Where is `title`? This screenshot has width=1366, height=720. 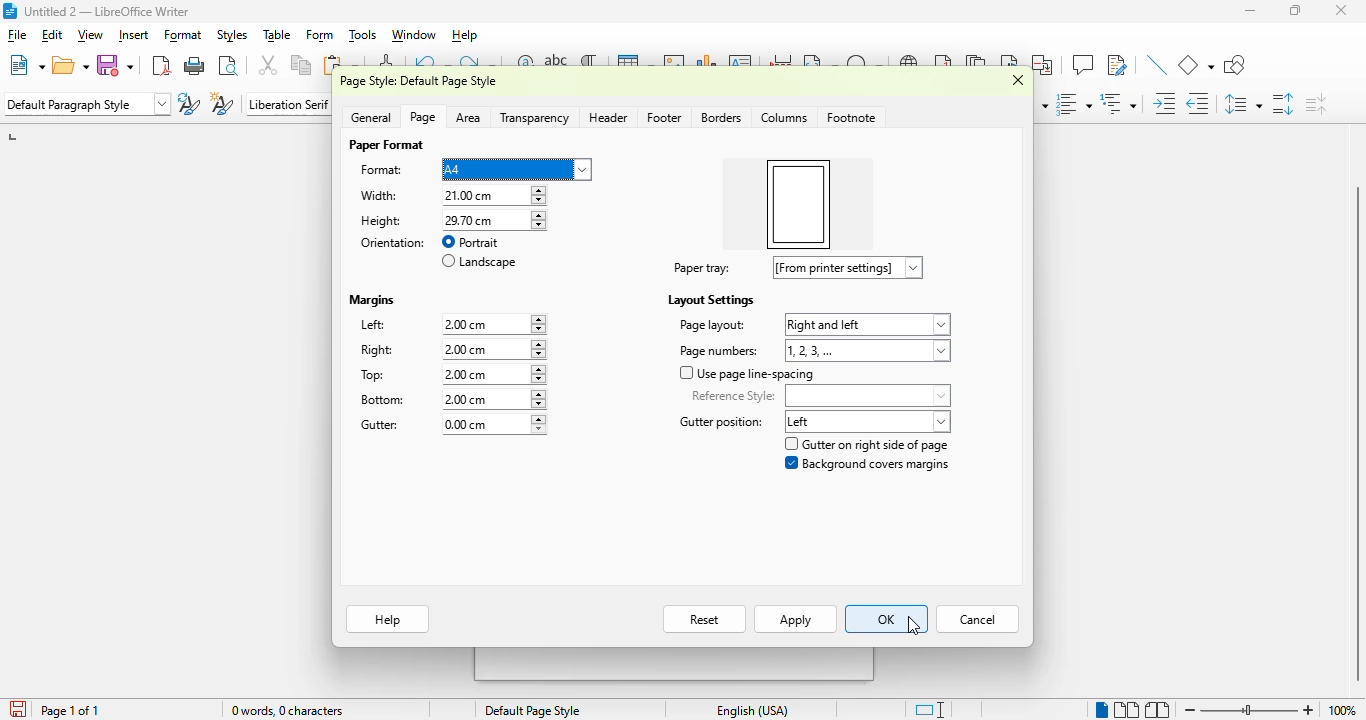
title is located at coordinates (107, 11).